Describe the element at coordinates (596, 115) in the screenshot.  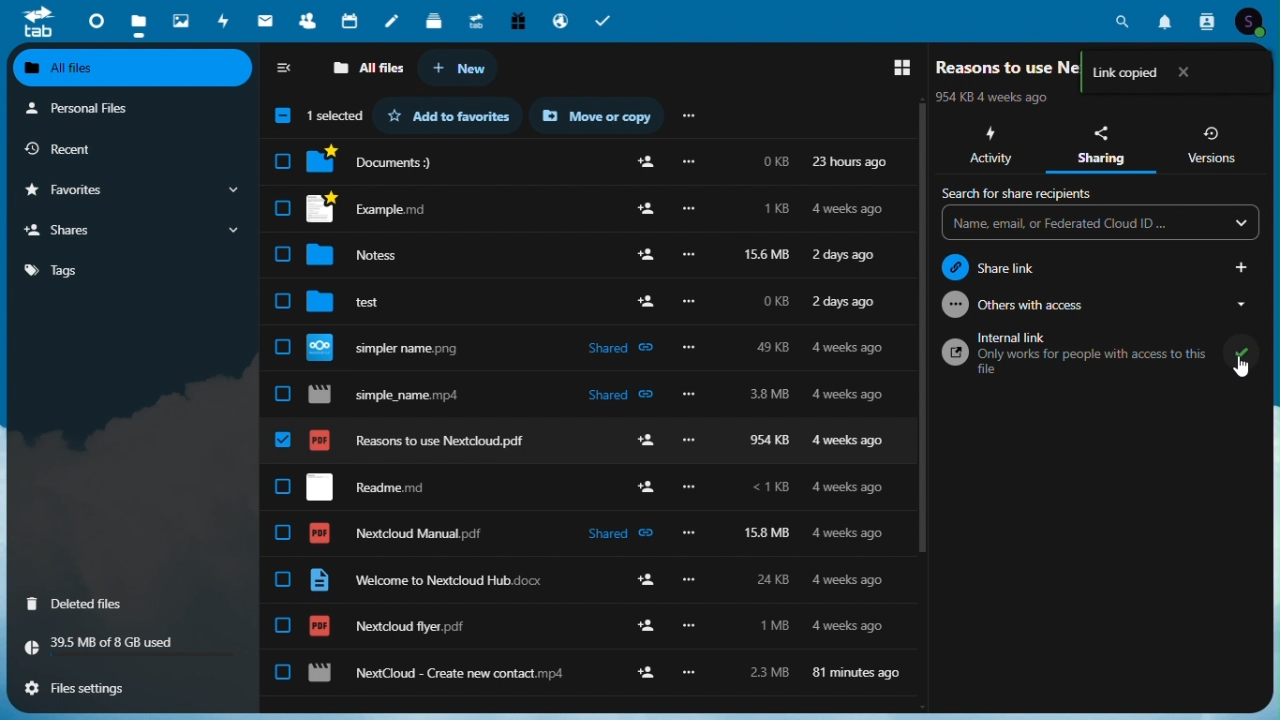
I see `Move or copy` at that location.